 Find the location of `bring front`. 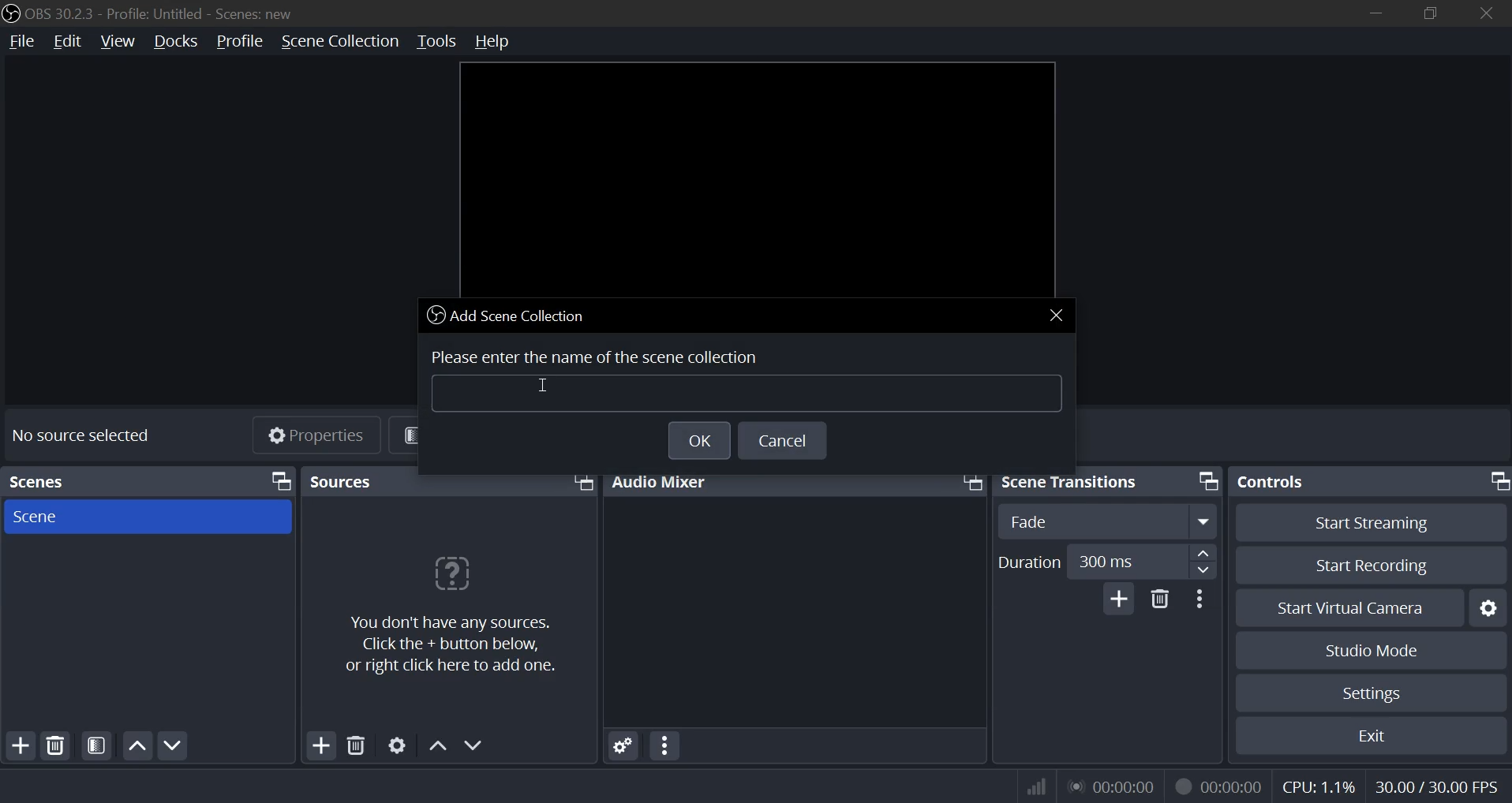

bring front is located at coordinates (281, 481).